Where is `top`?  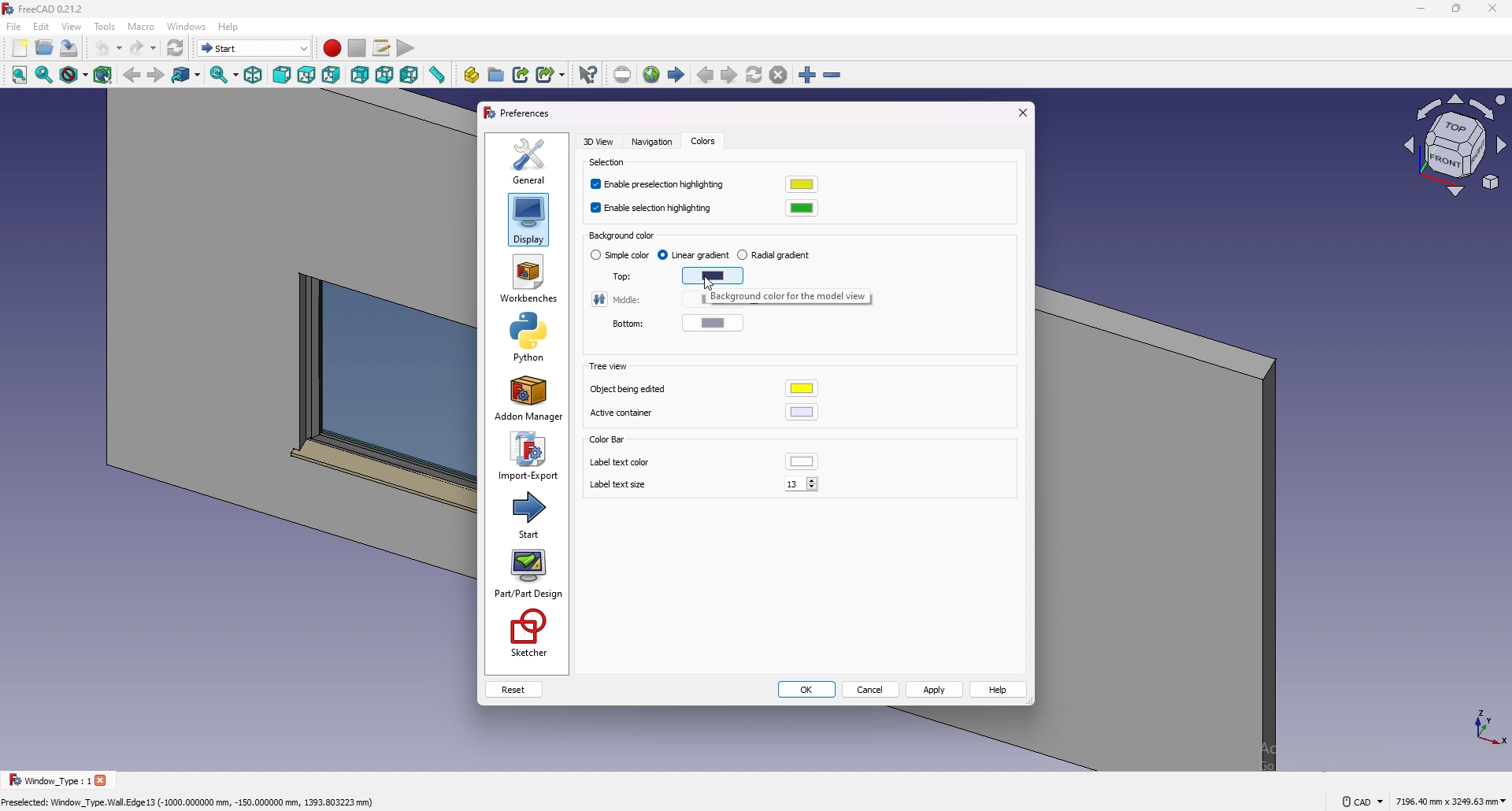 top is located at coordinates (617, 276).